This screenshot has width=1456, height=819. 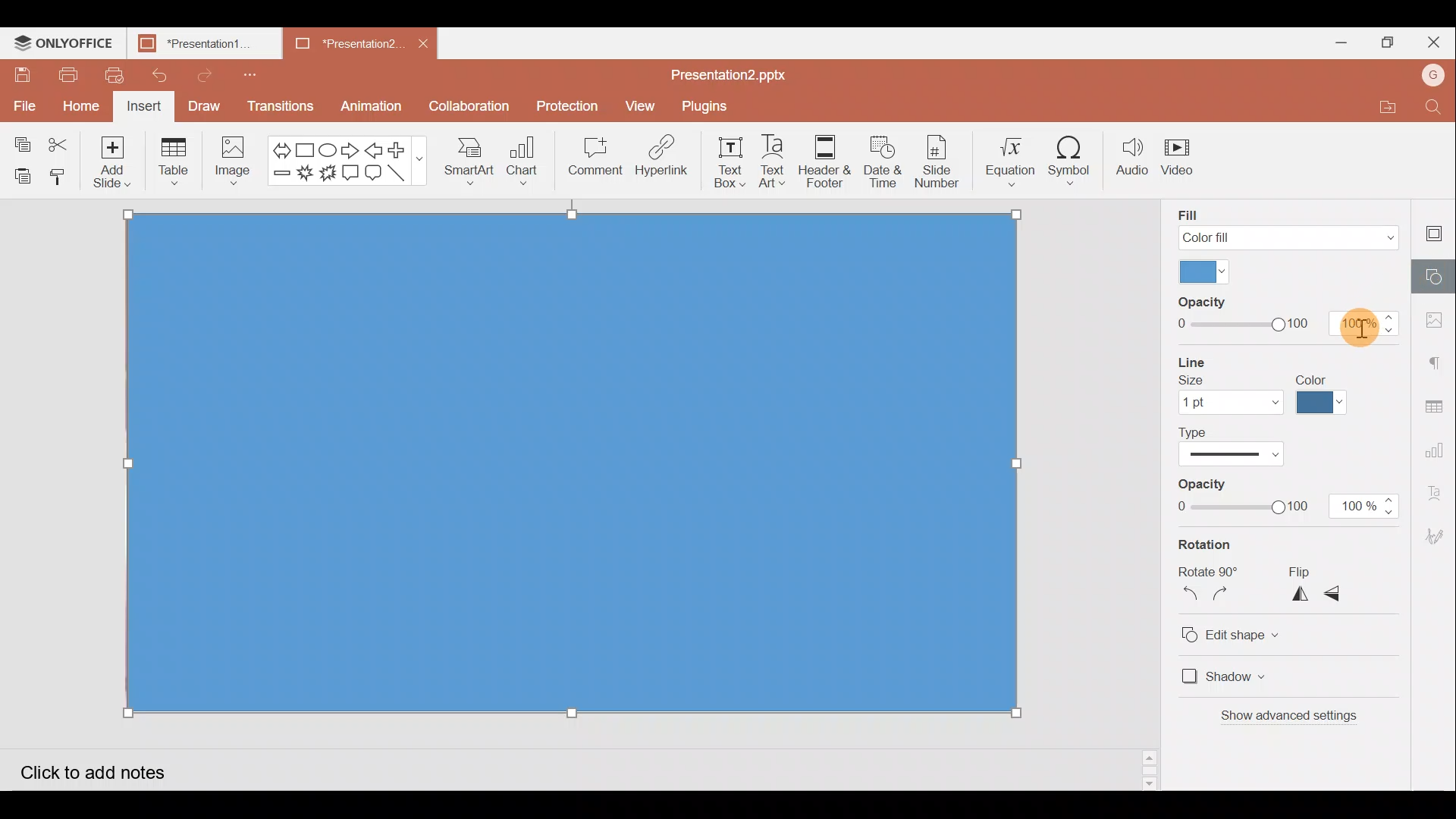 I want to click on Close document, so click(x=424, y=42).